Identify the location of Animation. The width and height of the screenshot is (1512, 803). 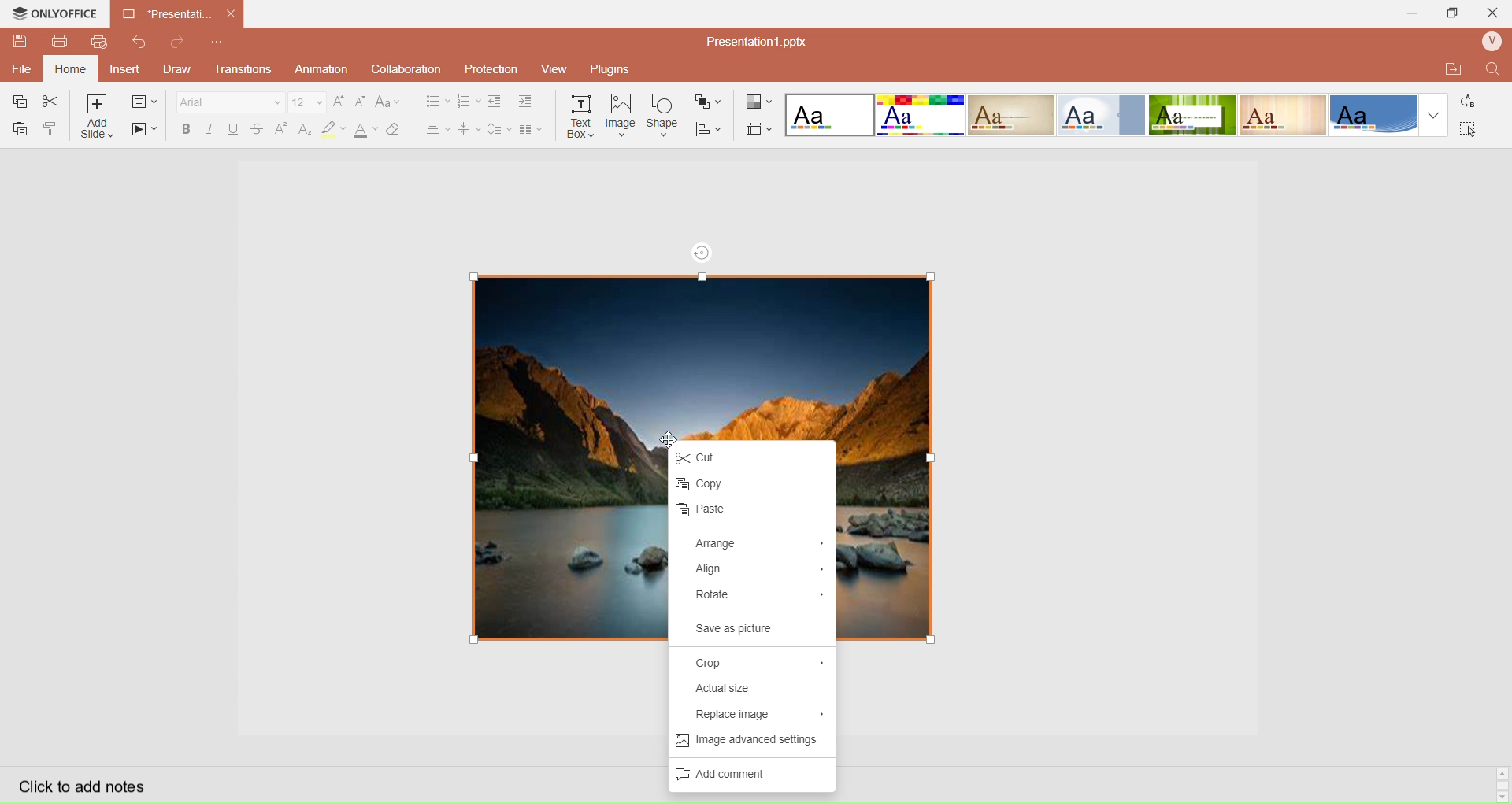
(323, 70).